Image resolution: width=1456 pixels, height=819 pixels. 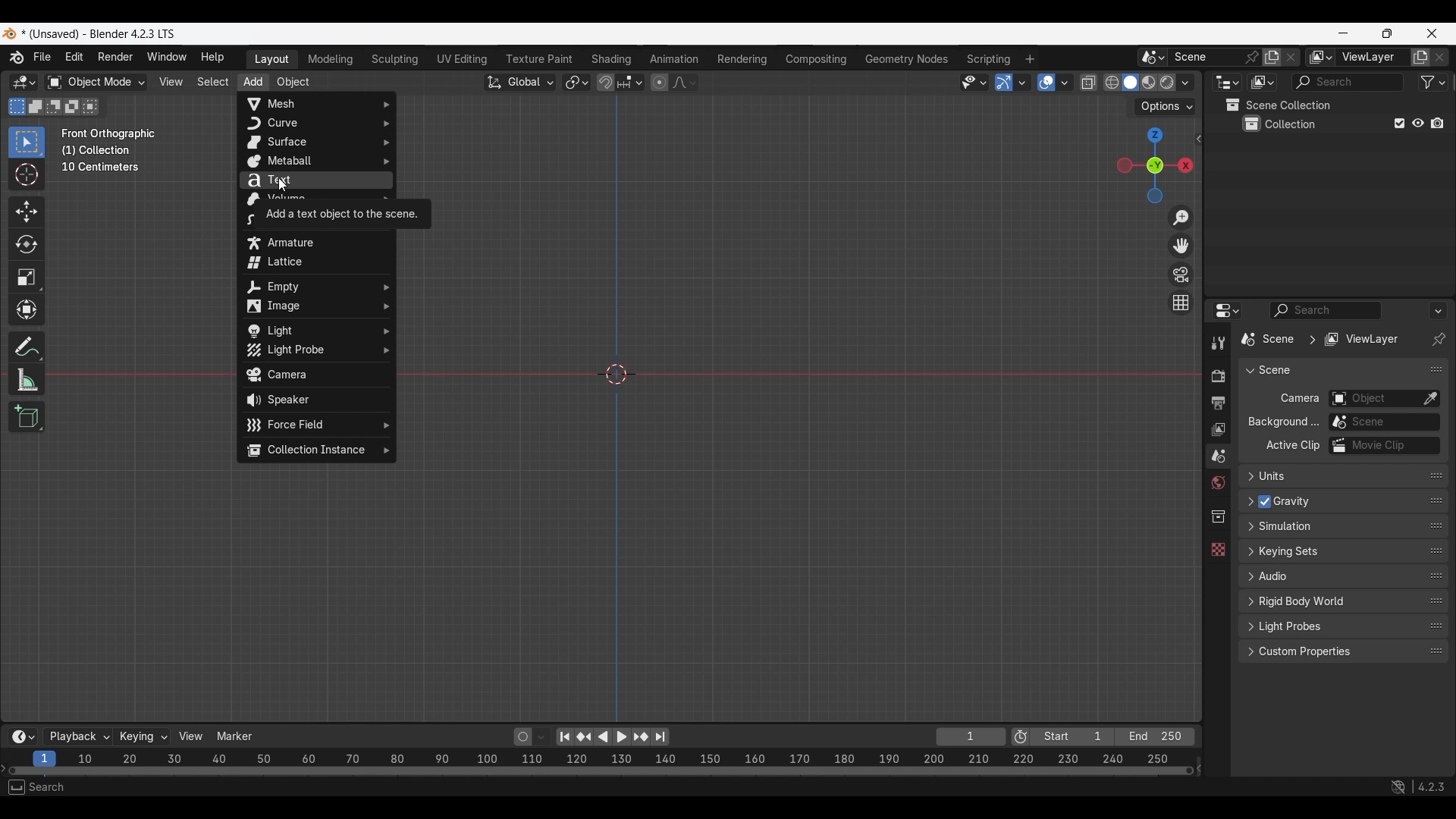 What do you see at coordinates (1432, 33) in the screenshot?
I see `Close interface` at bounding box center [1432, 33].